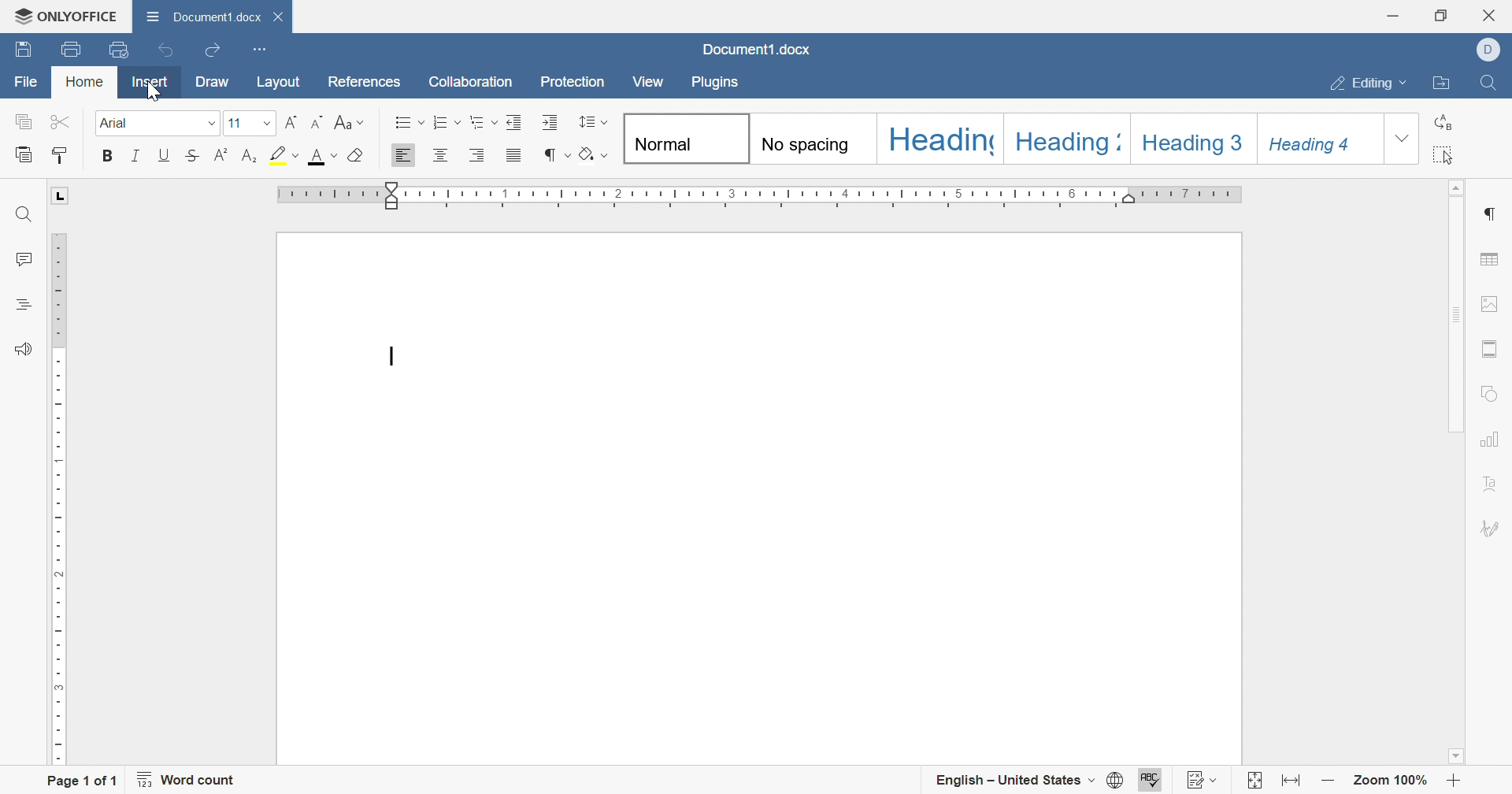 This screenshot has height=794, width=1512. Describe the element at coordinates (1366, 84) in the screenshot. I see `Editing` at that location.